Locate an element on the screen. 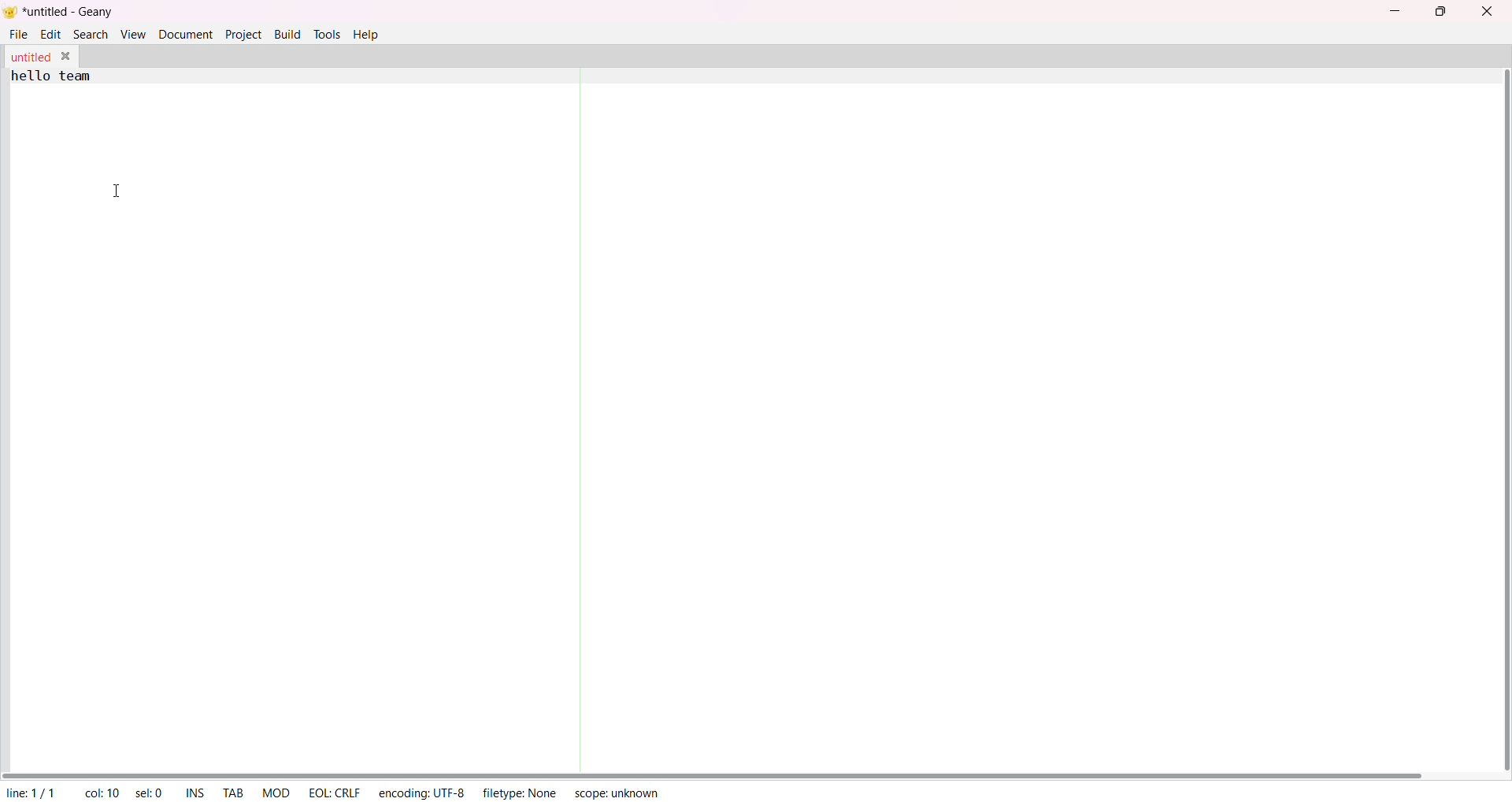 The image size is (1512, 802). tools is located at coordinates (327, 34).